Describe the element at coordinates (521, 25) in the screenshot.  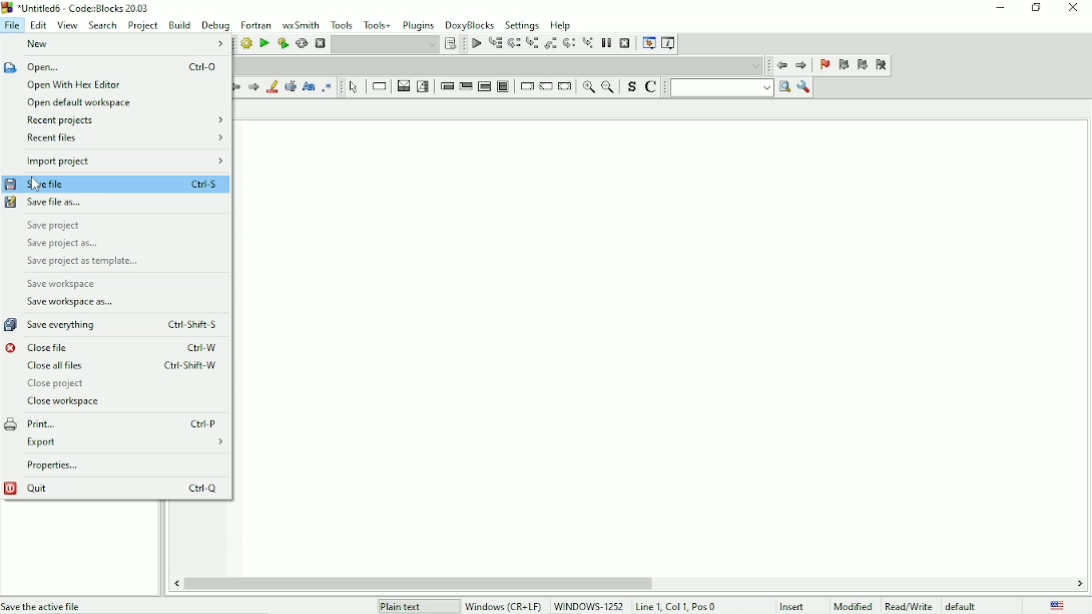
I see `Settings` at that location.